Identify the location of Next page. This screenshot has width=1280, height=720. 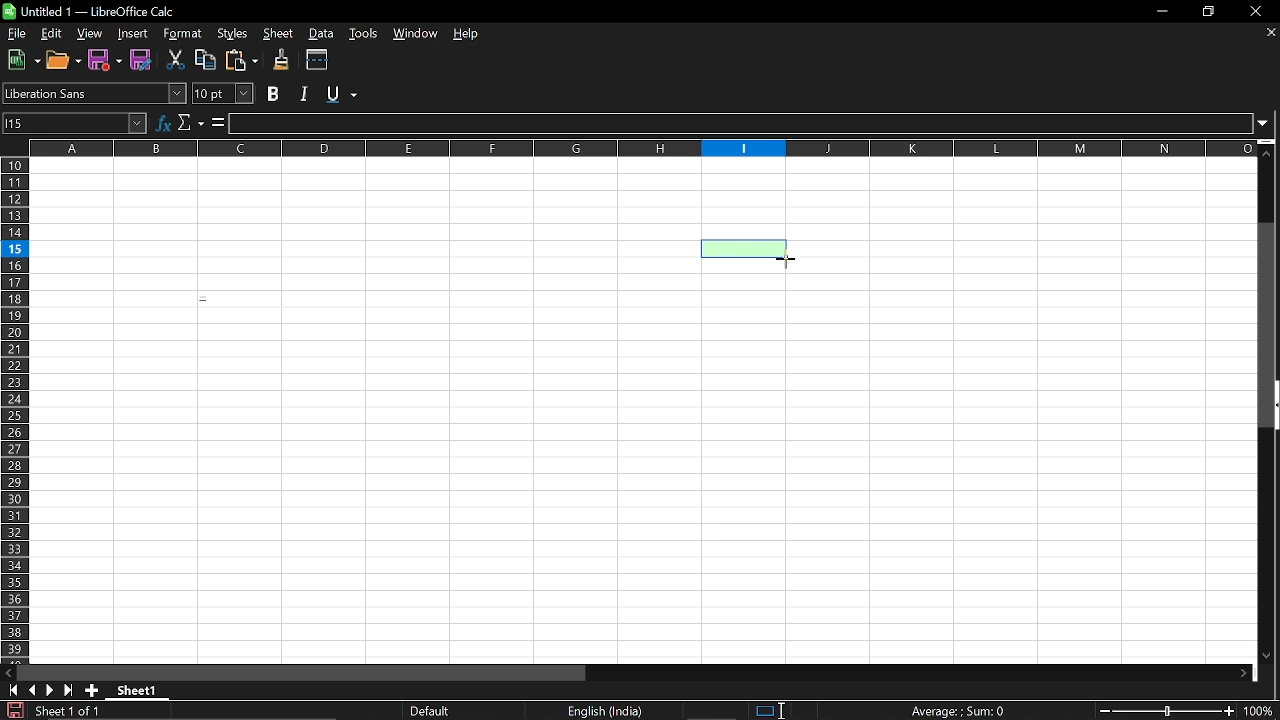
(51, 691).